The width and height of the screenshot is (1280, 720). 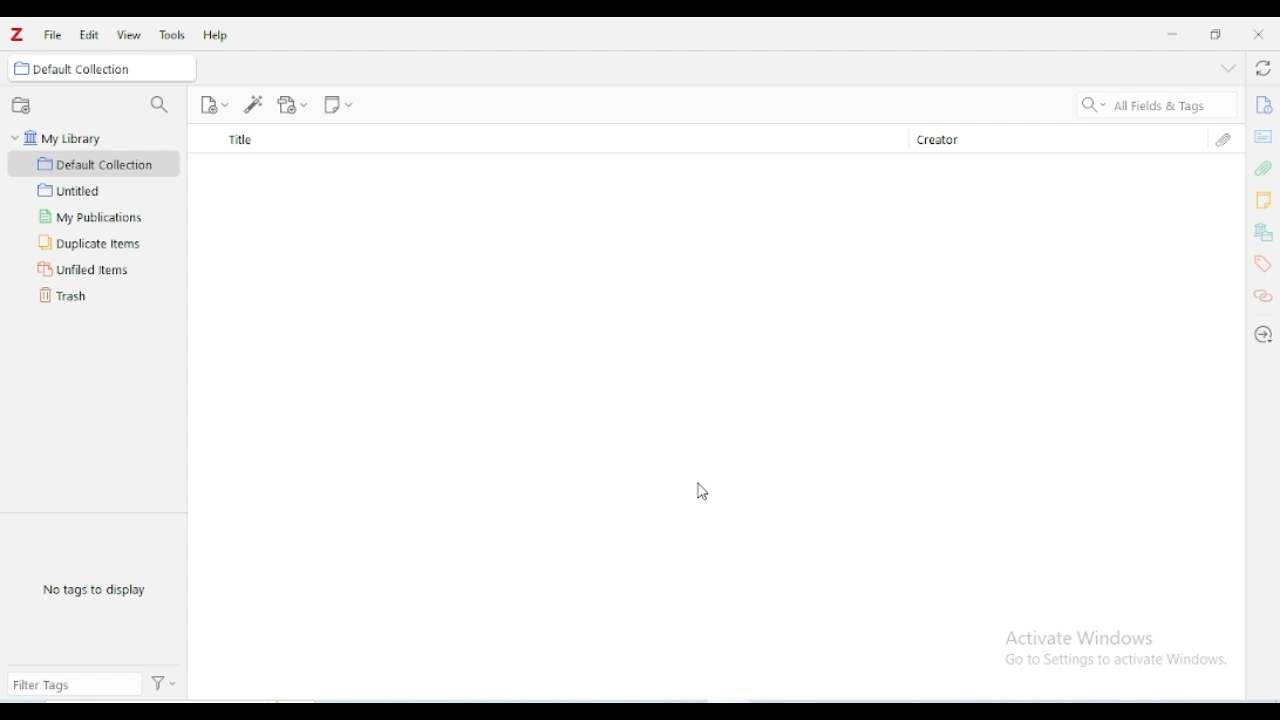 What do you see at coordinates (702, 491) in the screenshot?
I see `cursor` at bounding box center [702, 491].